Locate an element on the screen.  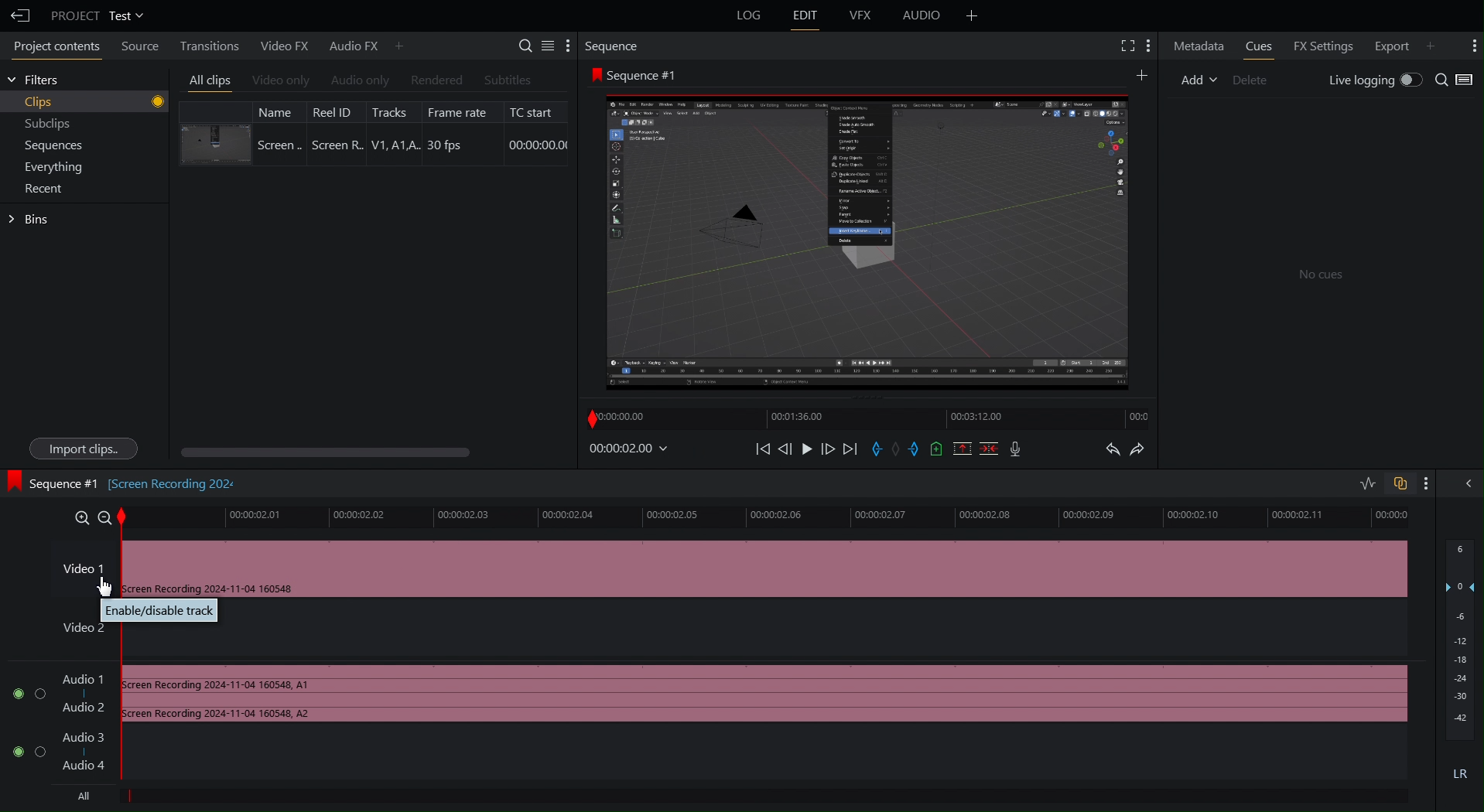
Timestamp is located at coordinates (627, 451).